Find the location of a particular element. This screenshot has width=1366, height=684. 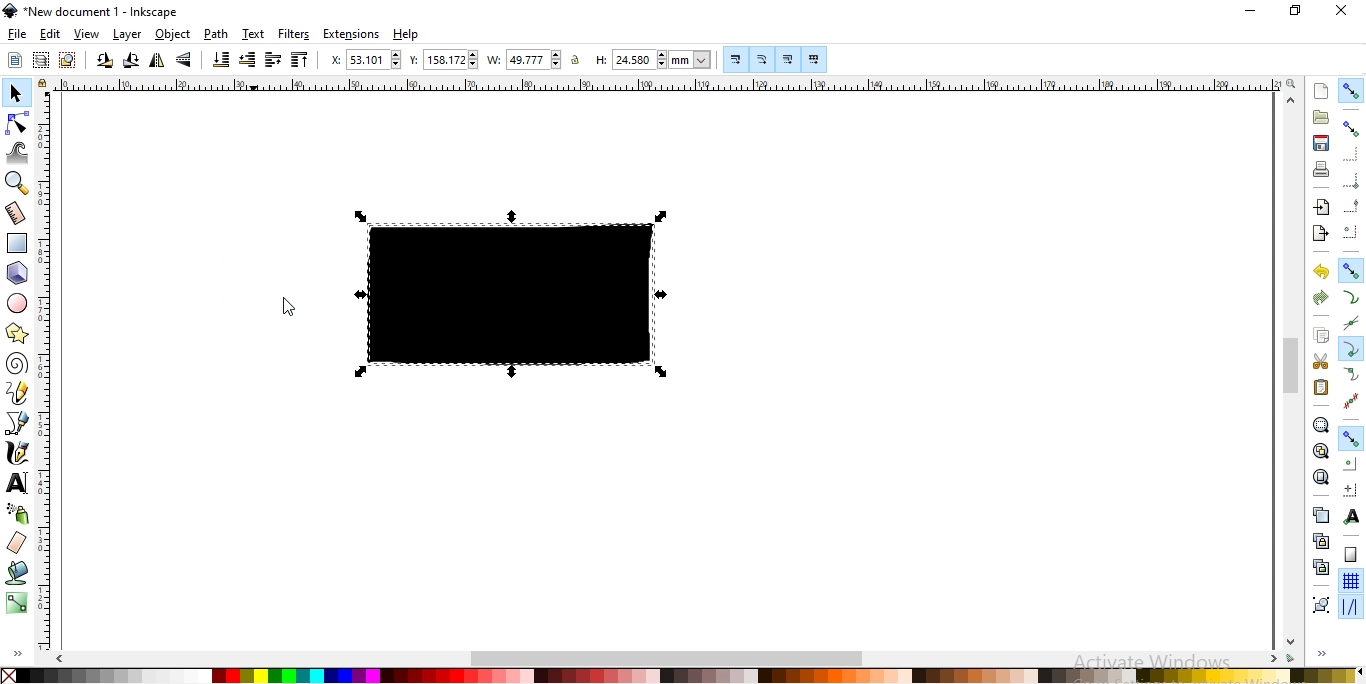

snap to edges of bounding box is located at coordinates (1351, 155).